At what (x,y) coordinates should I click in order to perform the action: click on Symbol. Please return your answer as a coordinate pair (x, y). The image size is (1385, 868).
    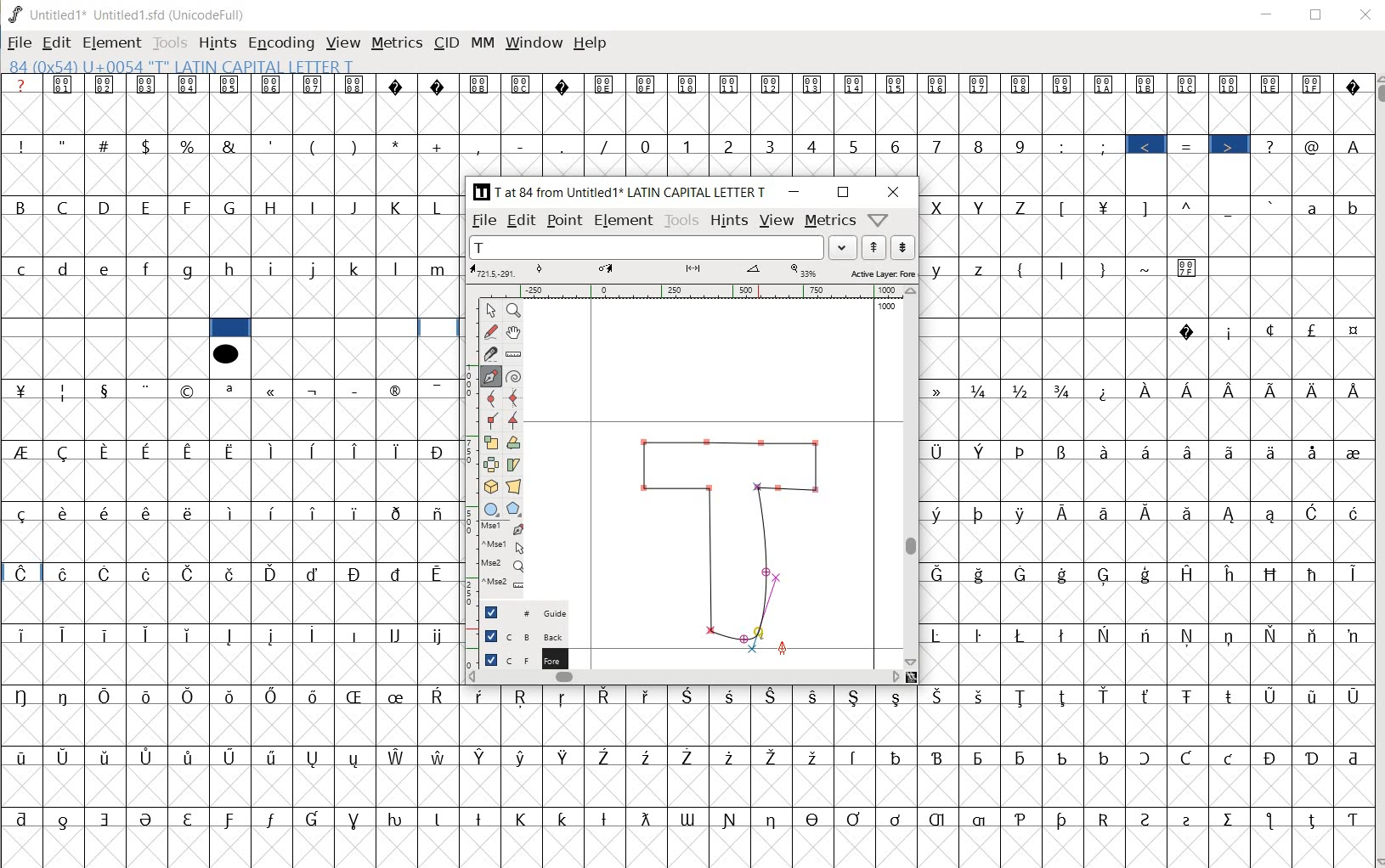
    Looking at the image, I should click on (274, 636).